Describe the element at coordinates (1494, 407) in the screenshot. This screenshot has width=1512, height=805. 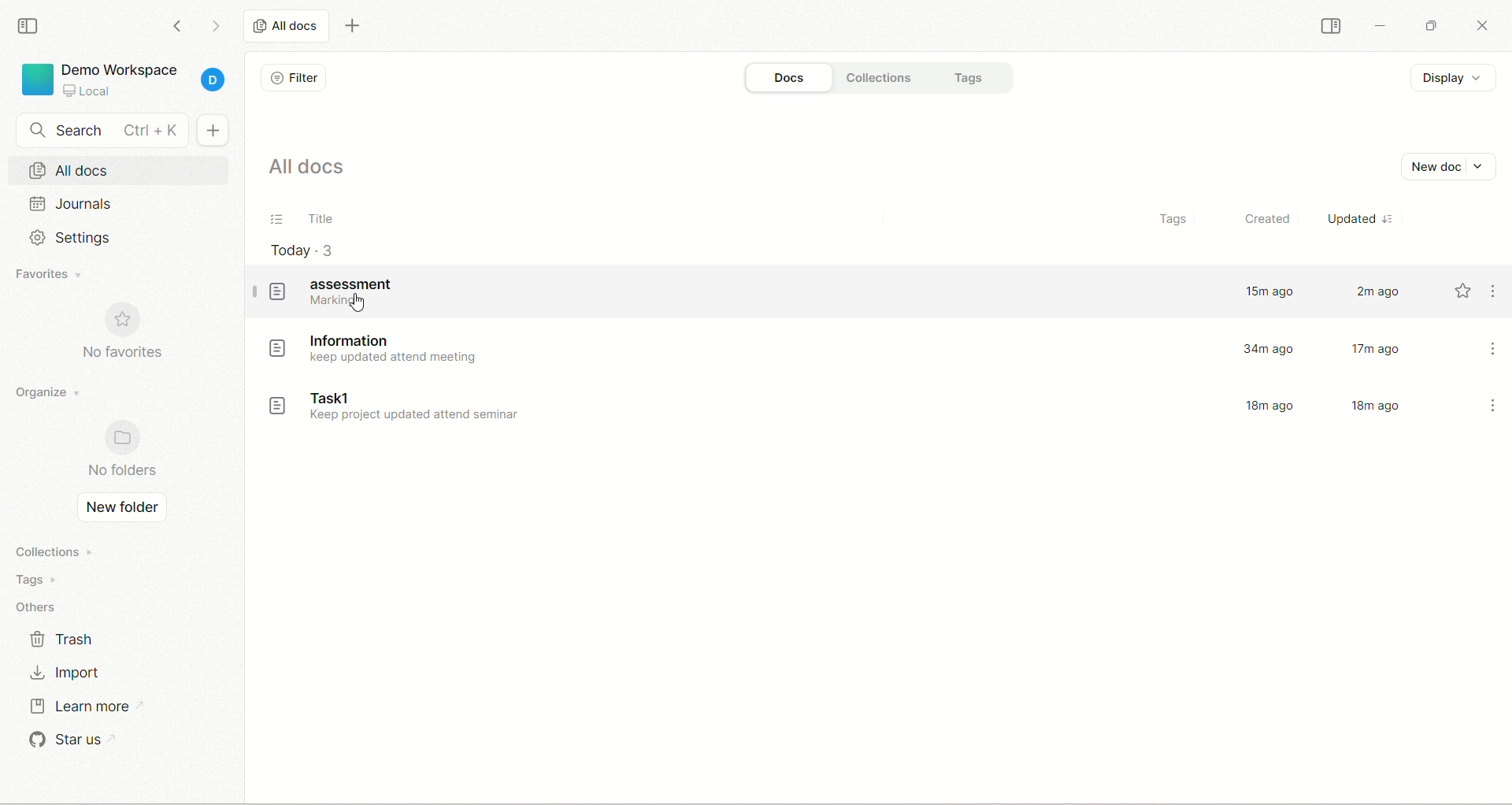
I see `options` at that location.